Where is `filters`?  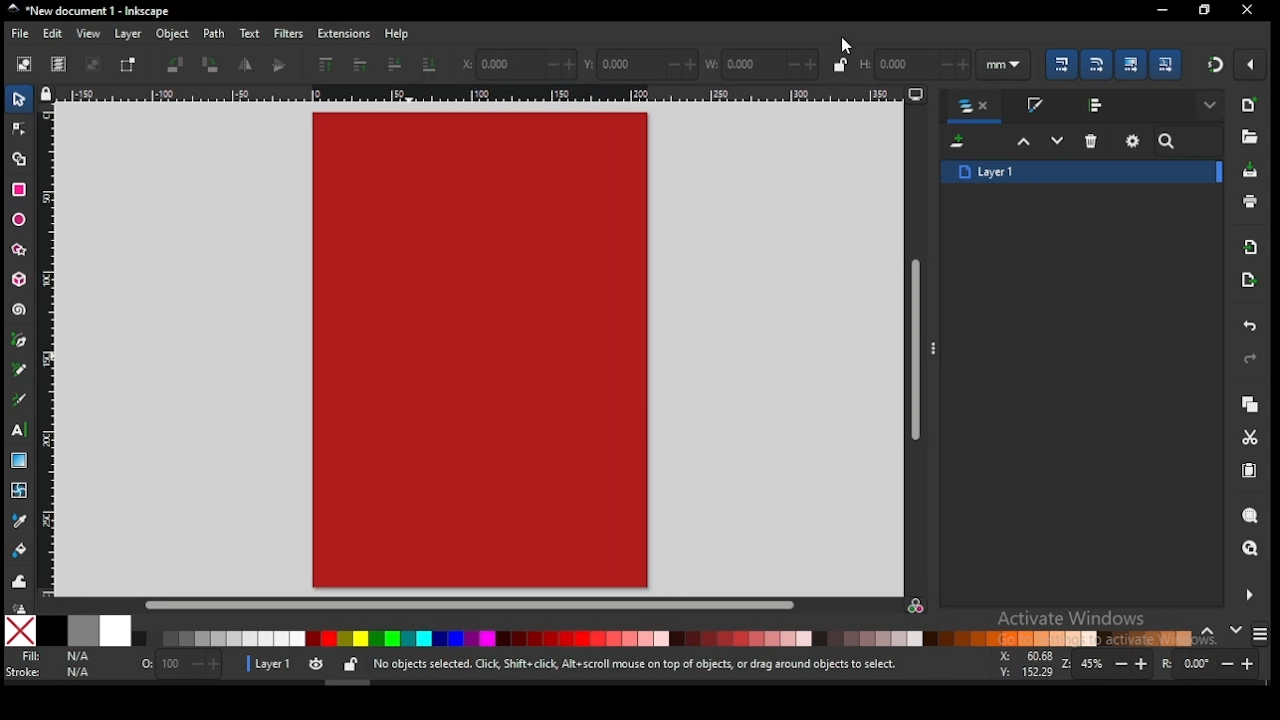
filters is located at coordinates (287, 32).